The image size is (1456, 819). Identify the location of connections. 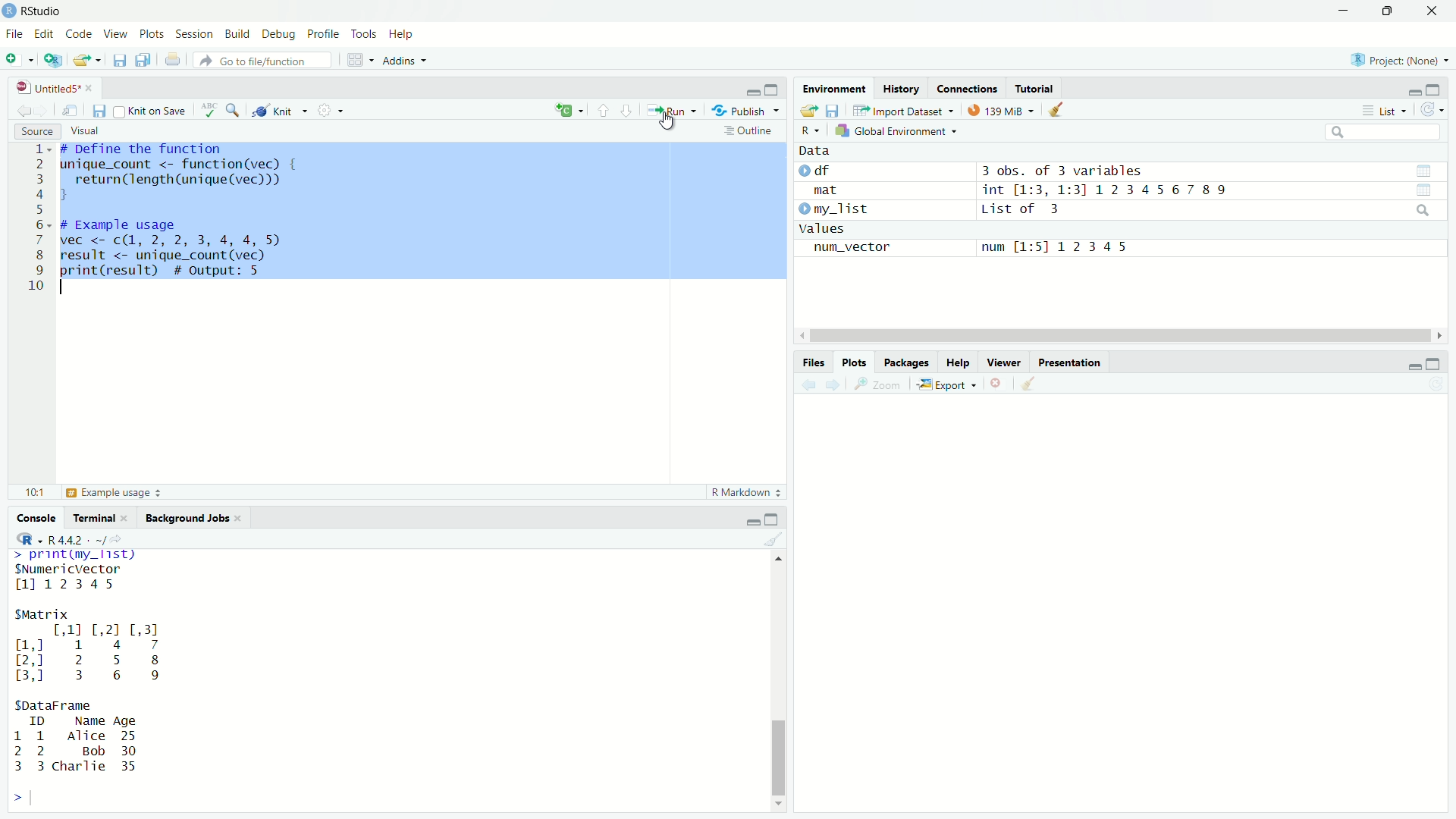
(967, 88).